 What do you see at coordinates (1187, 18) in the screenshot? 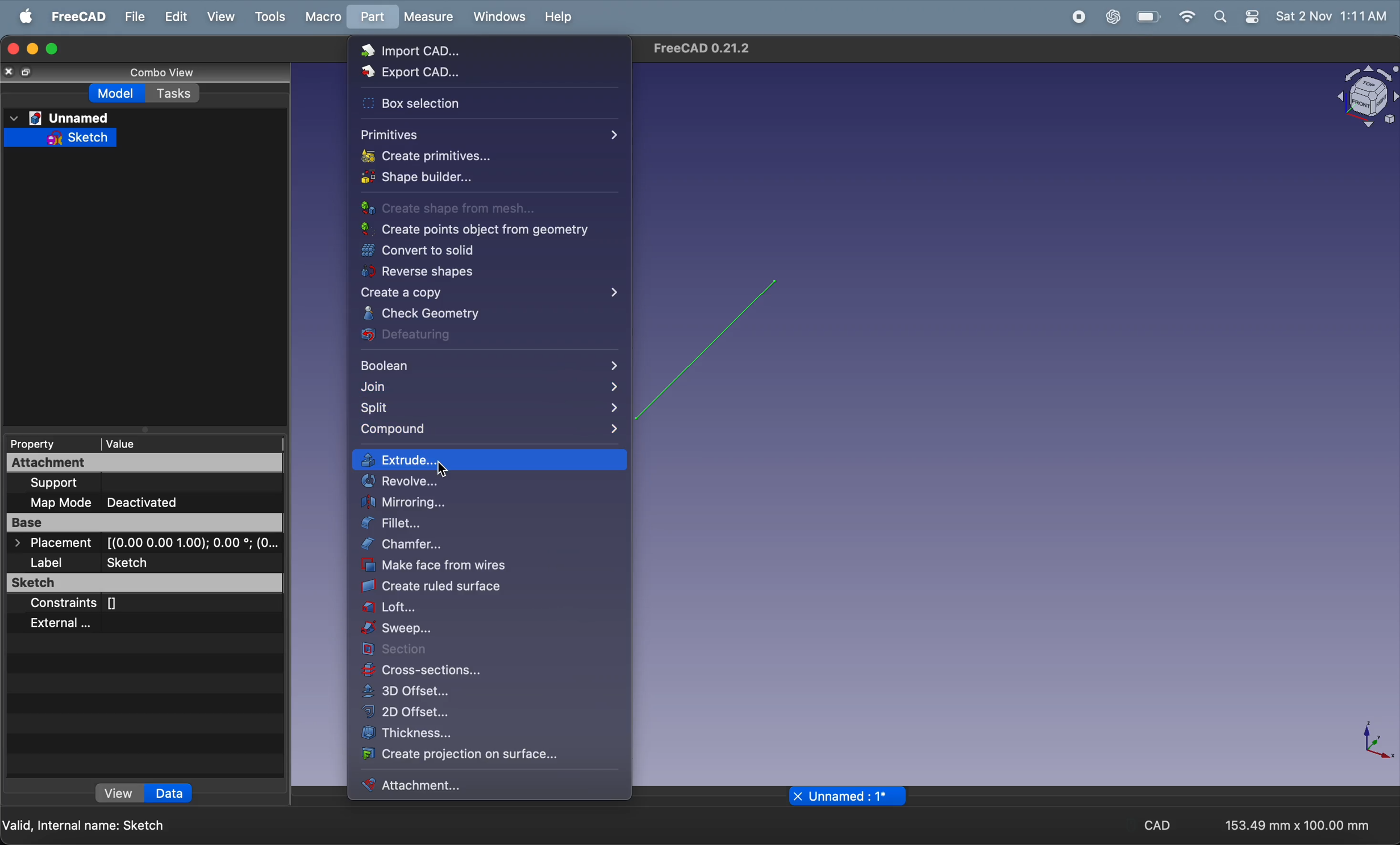
I see `wifi` at bounding box center [1187, 18].